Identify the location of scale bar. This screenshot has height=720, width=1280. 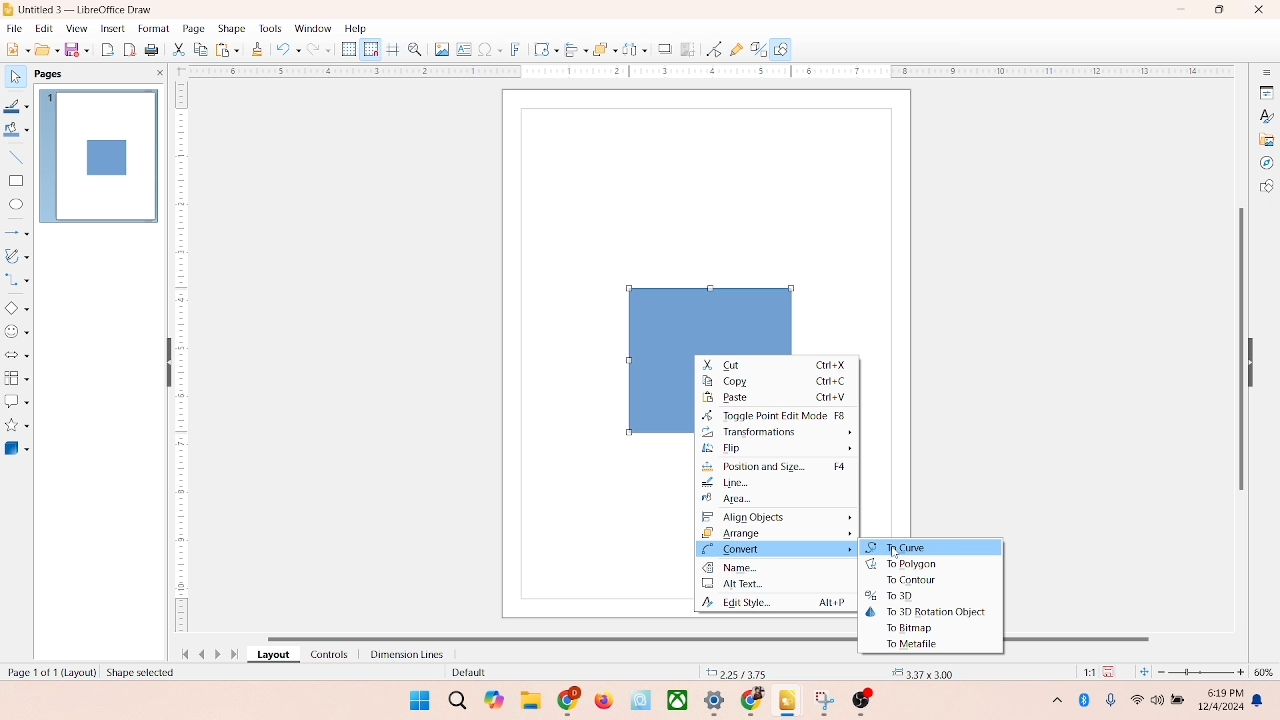
(181, 360).